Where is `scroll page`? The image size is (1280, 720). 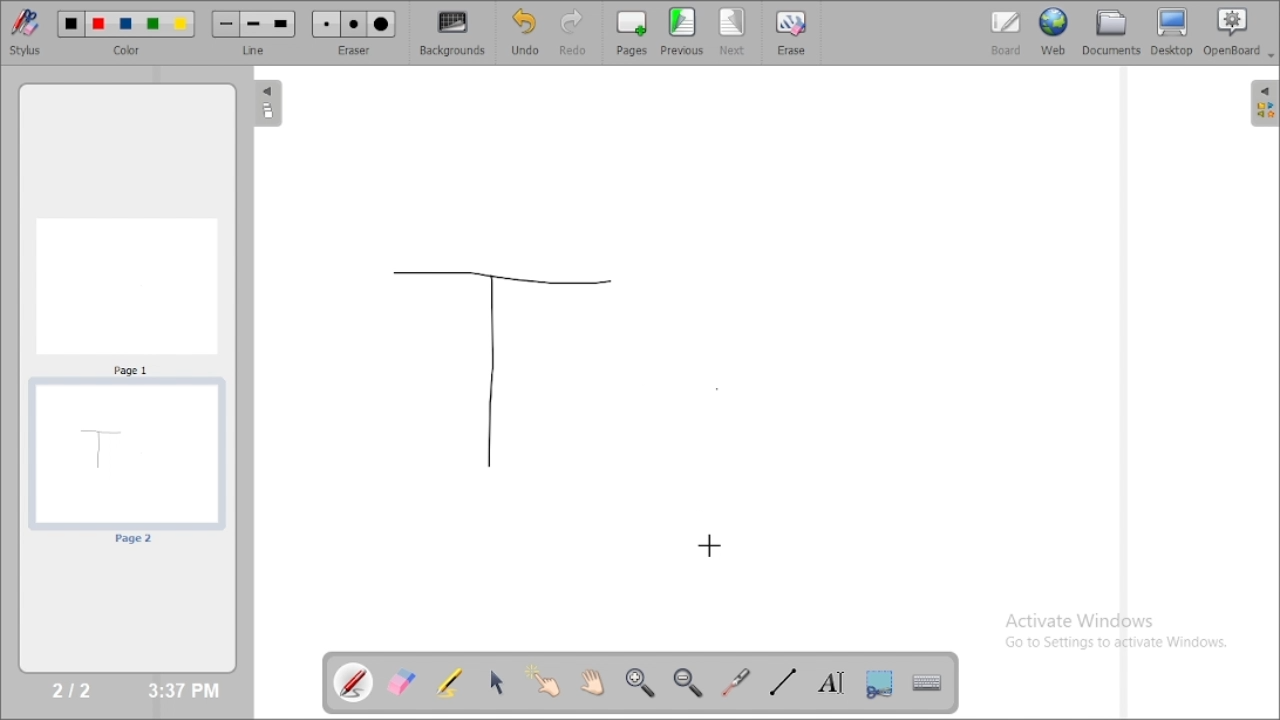 scroll page is located at coordinates (591, 681).